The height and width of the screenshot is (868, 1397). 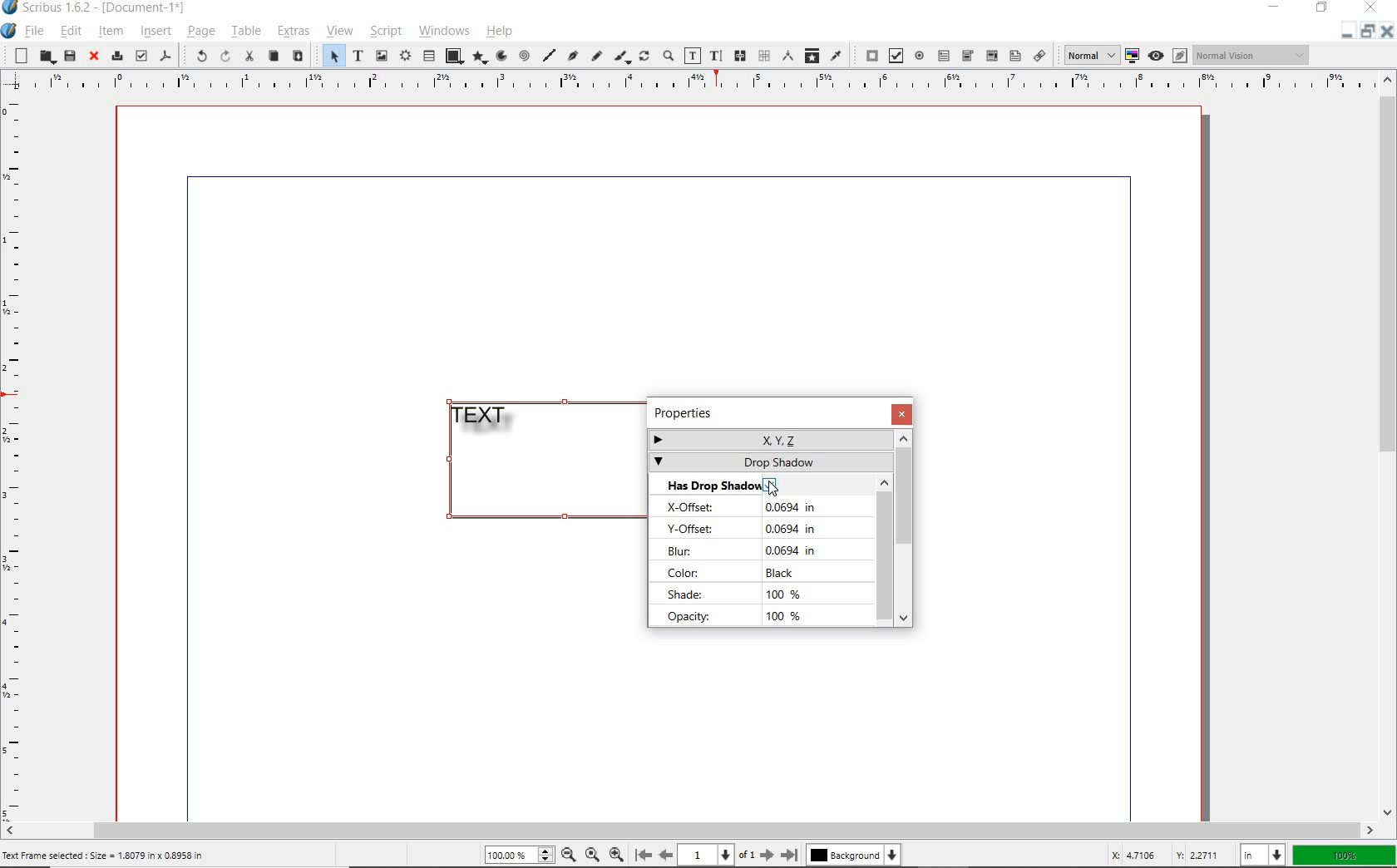 What do you see at coordinates (1041, 57) in the screenshot?
I see `link annotation` at bounding box center [1041, 57].